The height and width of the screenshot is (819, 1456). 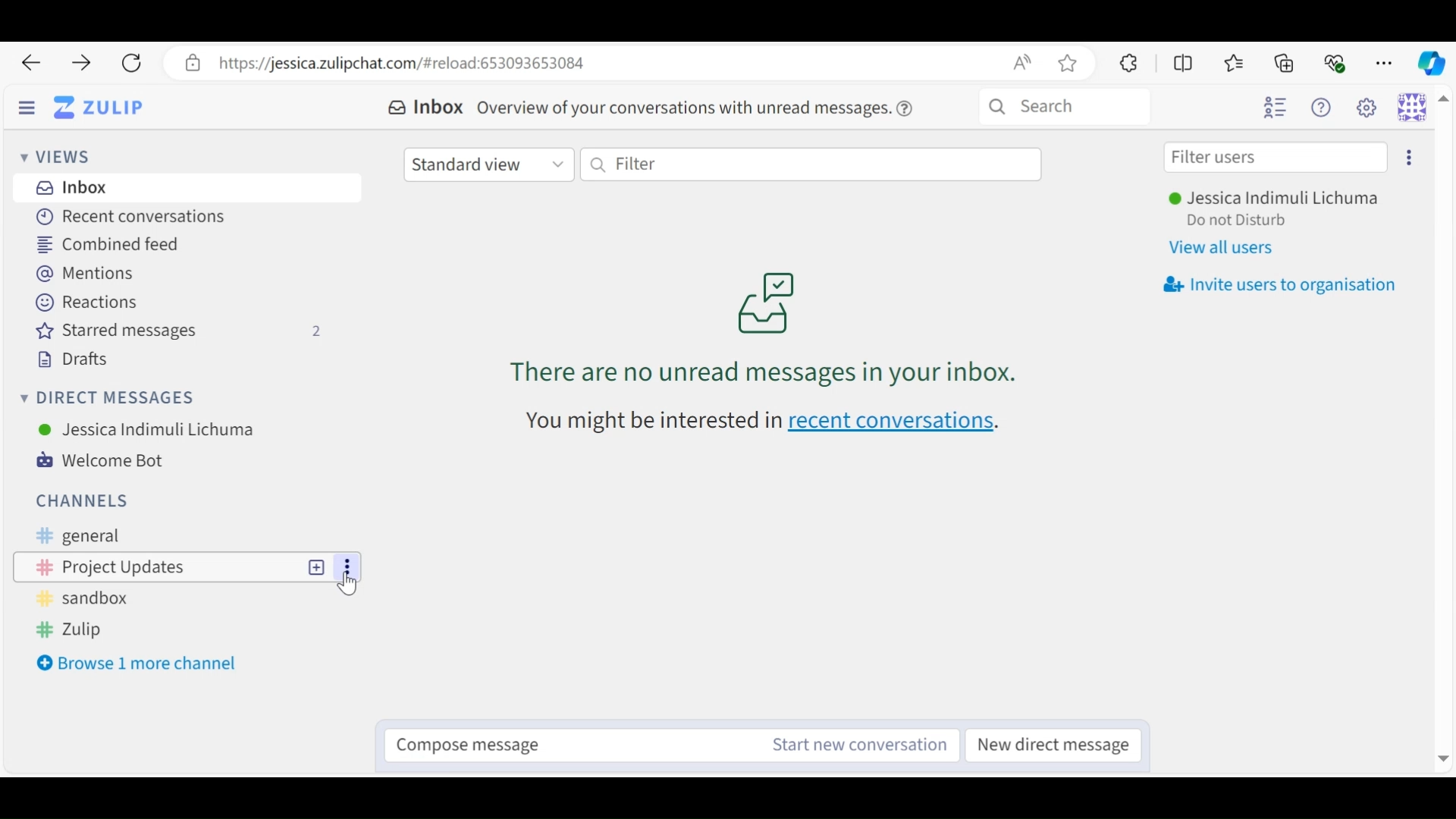 I want to click on Status, so click(x=1238, y=221).